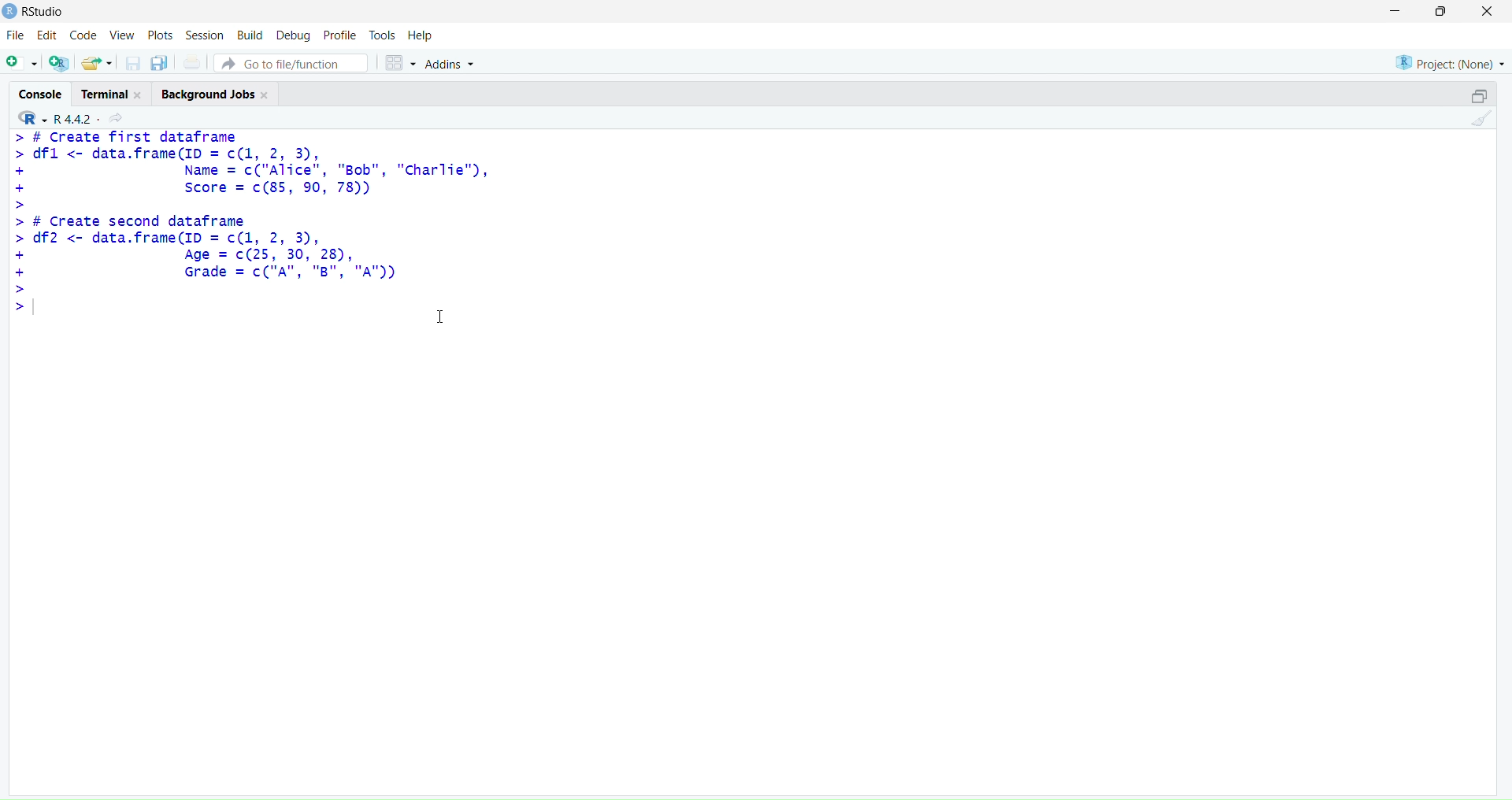 This screenshot has width=1512, height=800. I want to click on Project: (None), so click(1451, 62).